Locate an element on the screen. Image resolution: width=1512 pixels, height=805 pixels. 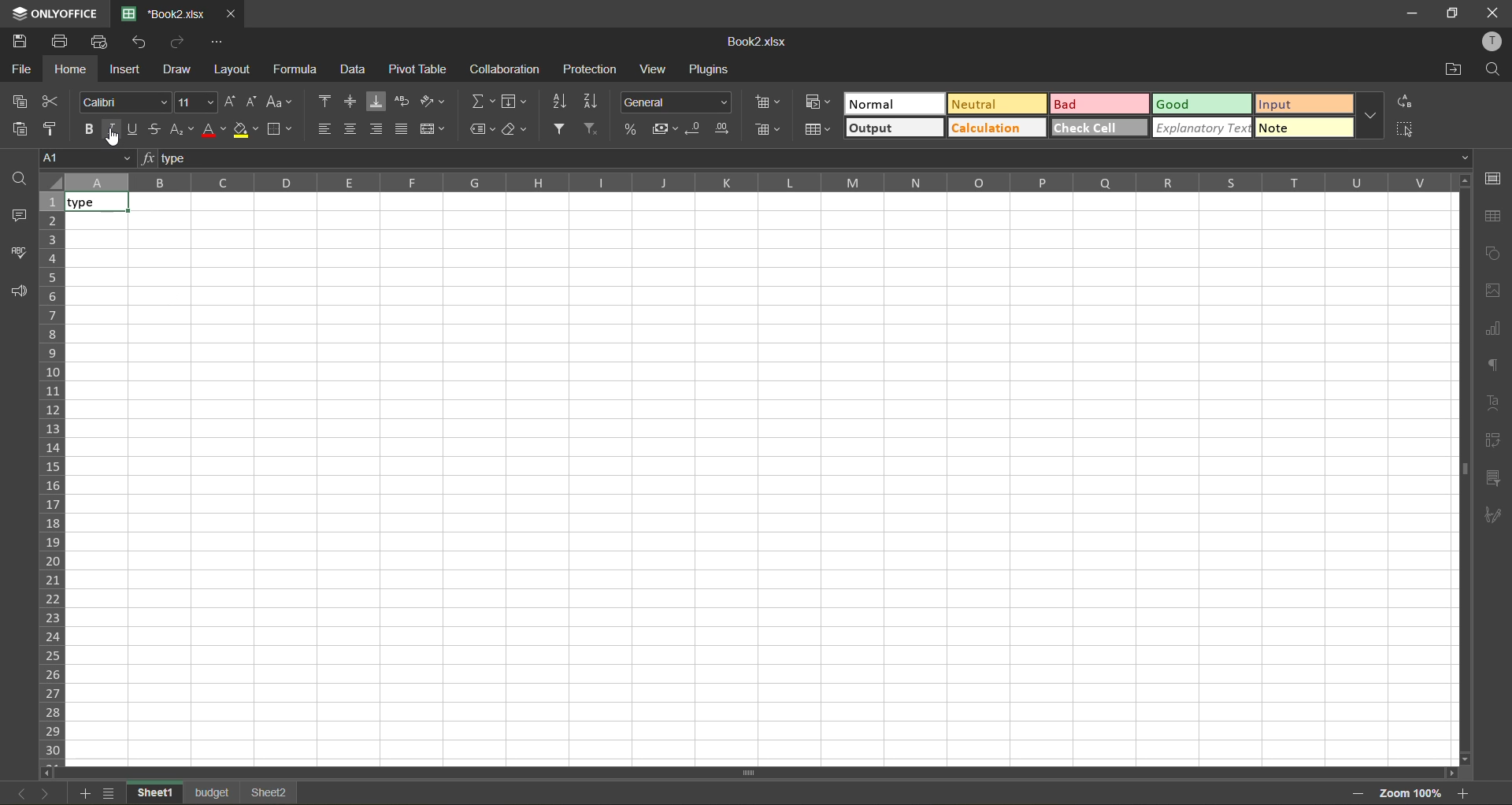
zoom in is located at coordinates (1354, 794).